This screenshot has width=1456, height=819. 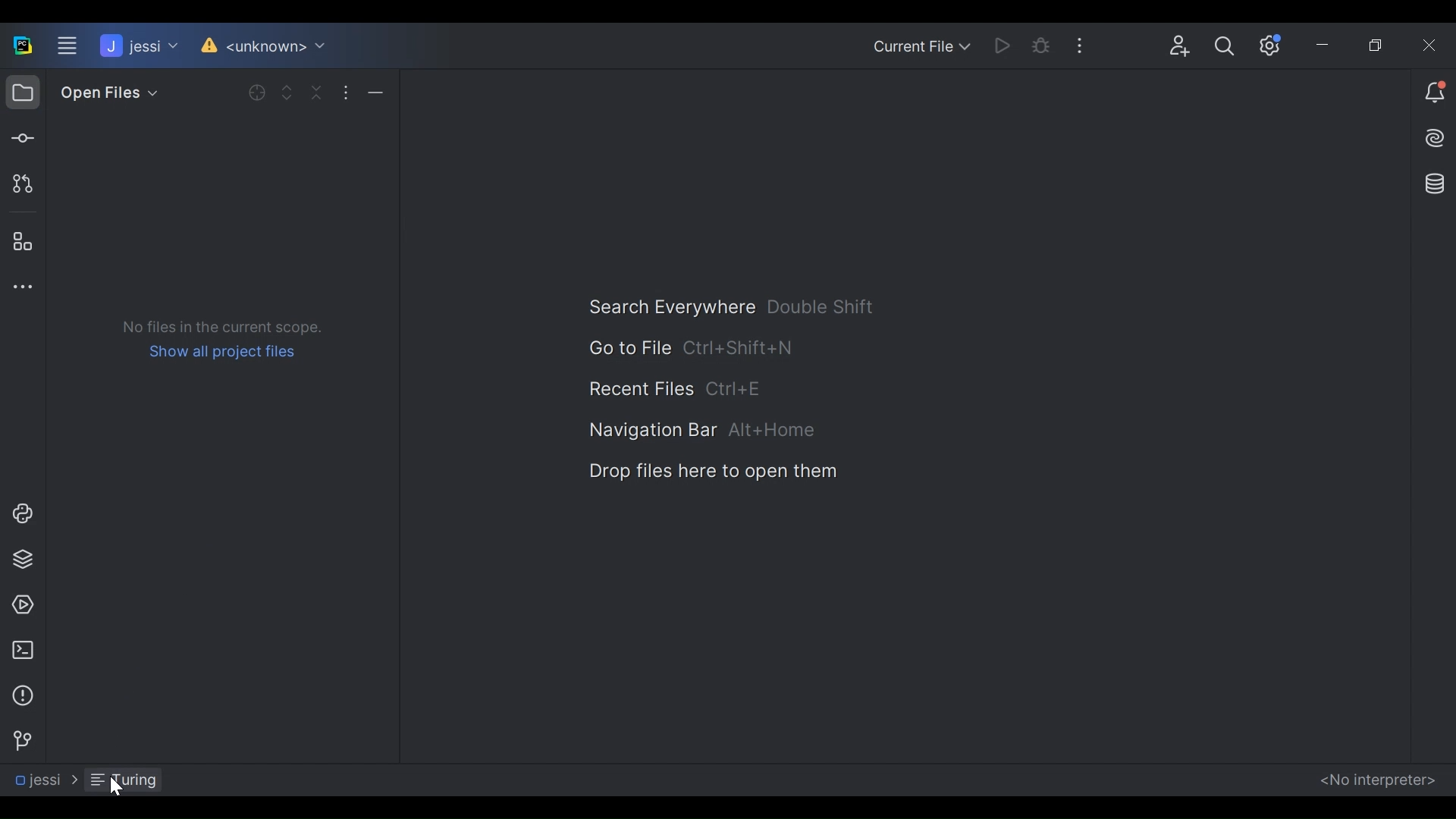 I want to click on Problem, so click(x=21, y=695).